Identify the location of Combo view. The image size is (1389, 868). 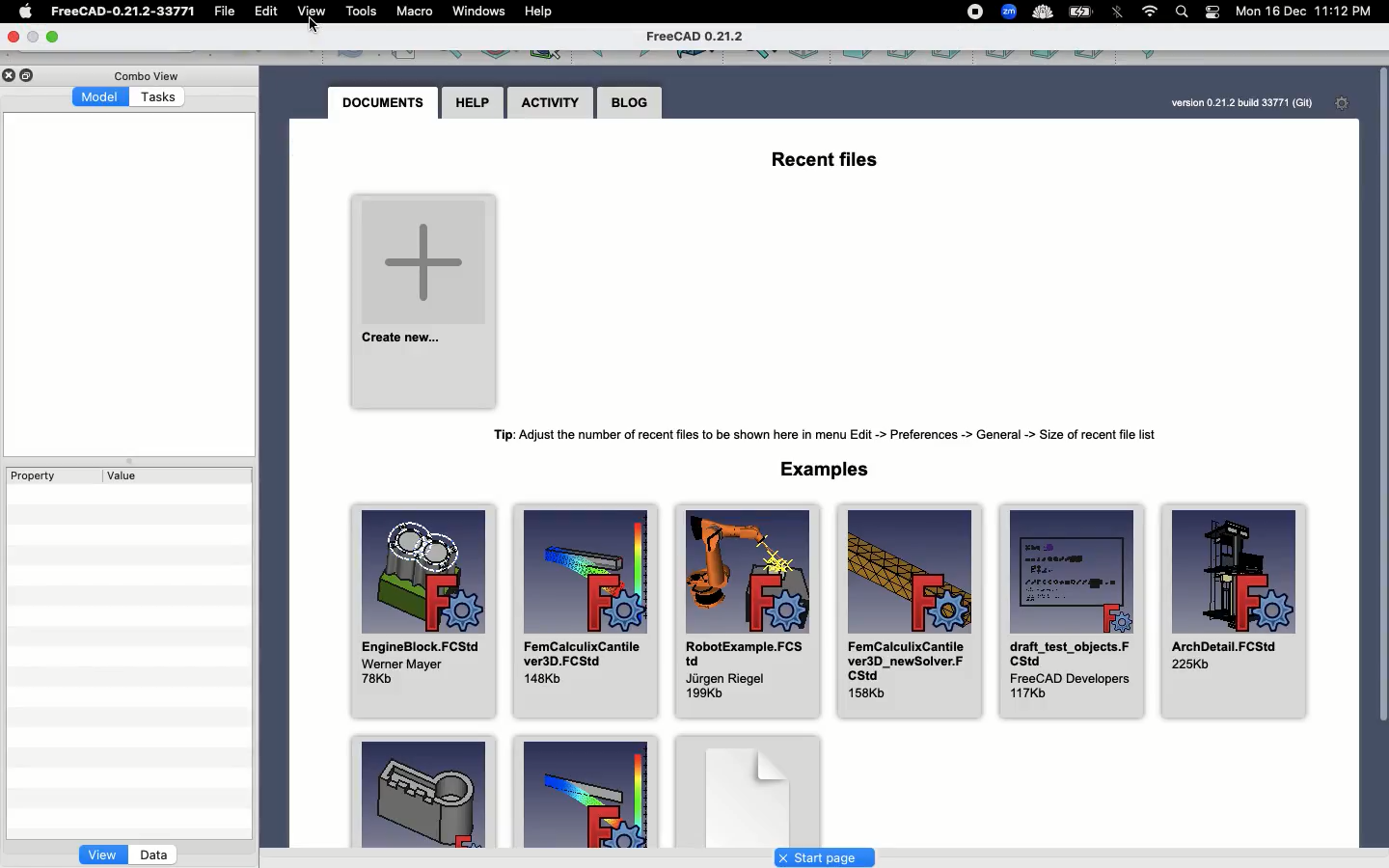
(147, 75).